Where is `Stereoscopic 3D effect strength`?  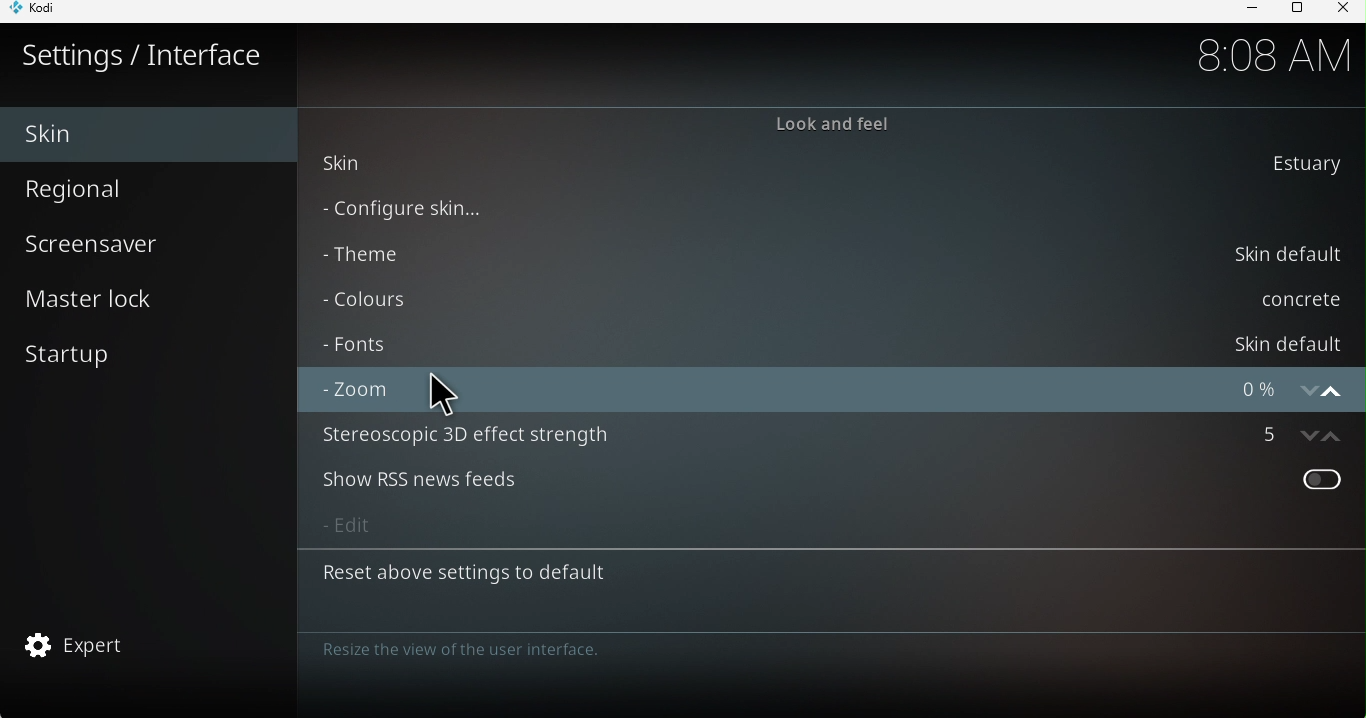 Stereoscopic 3D effect strength is located at coordinates (827, 438).